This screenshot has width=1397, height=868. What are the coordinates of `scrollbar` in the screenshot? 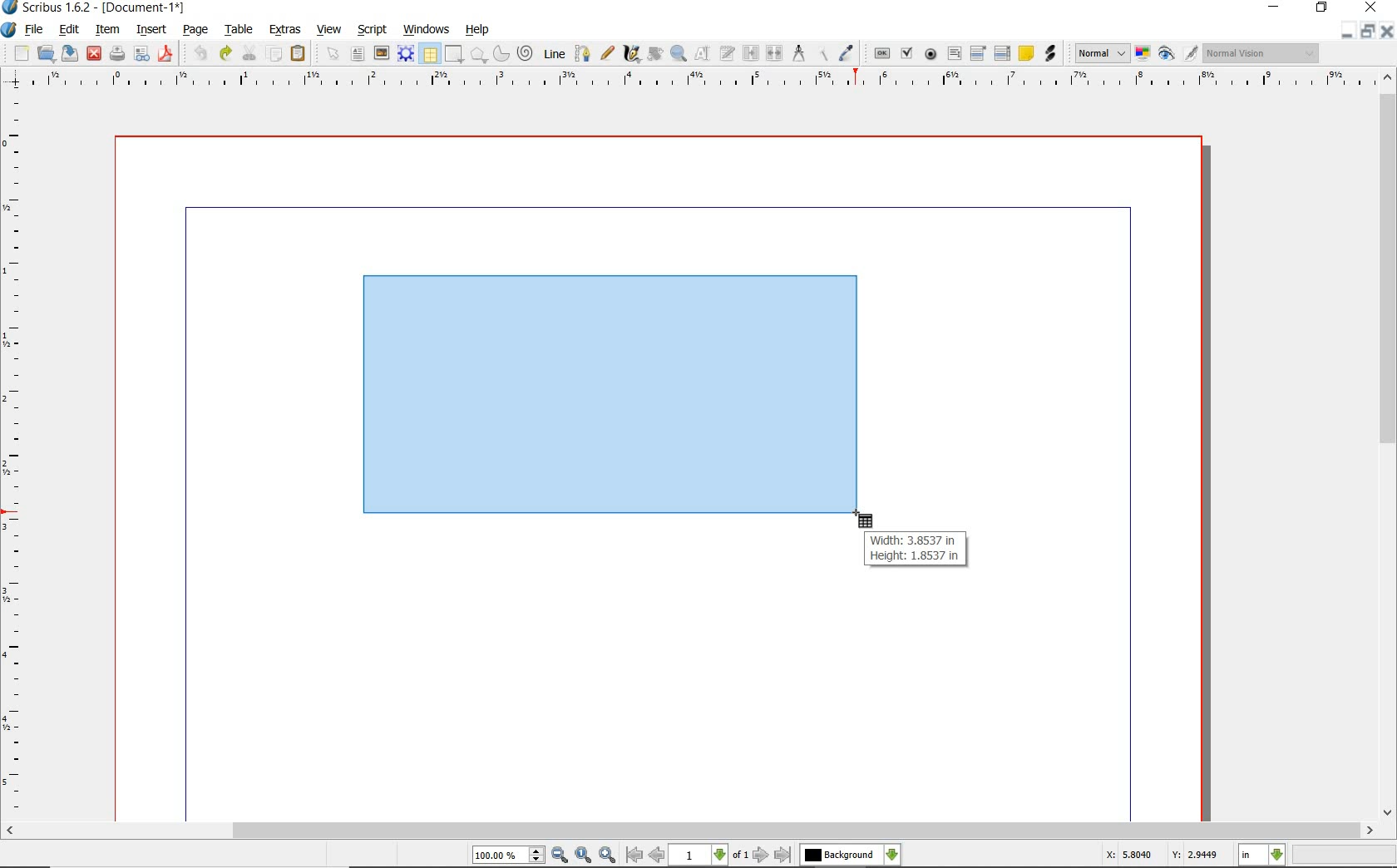 It's located at (691, 831).